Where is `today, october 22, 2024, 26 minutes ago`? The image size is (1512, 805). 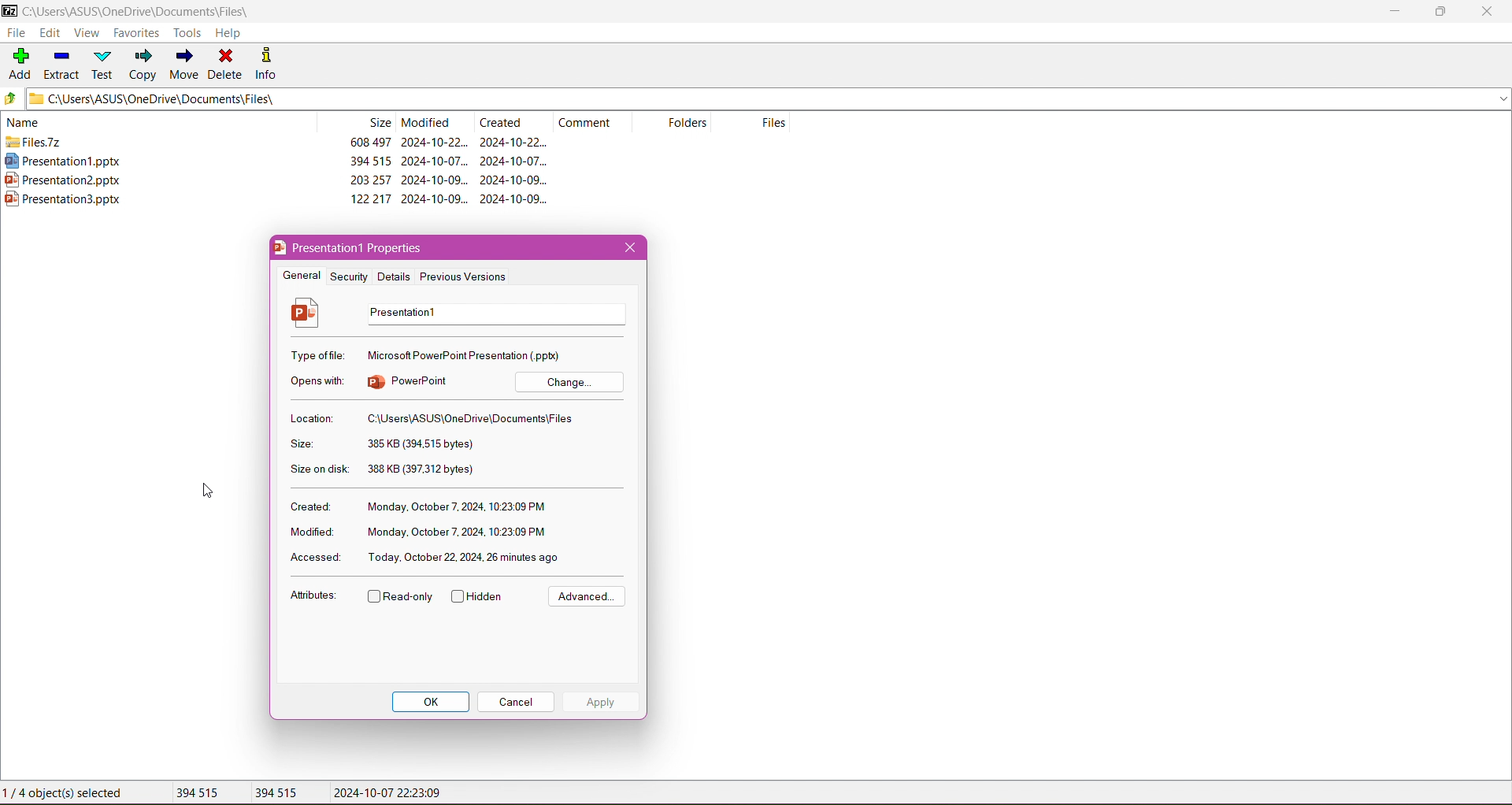
today, october 22, 2024, 26 minutes ago is located at coordinates (470, 558).